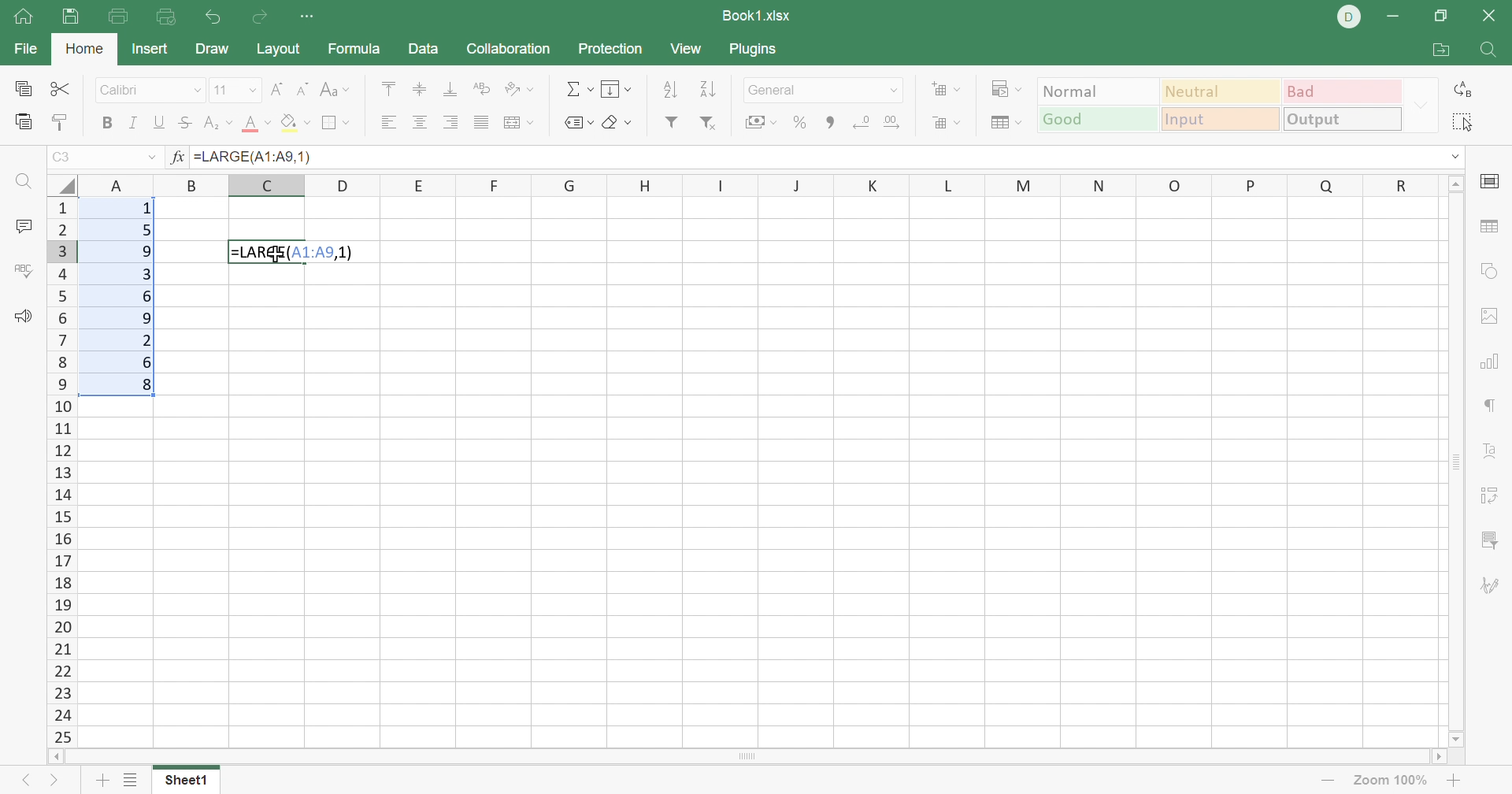  Describe the element at coordinates (215, 46) in the screenshot. I see `Draw` at that location.